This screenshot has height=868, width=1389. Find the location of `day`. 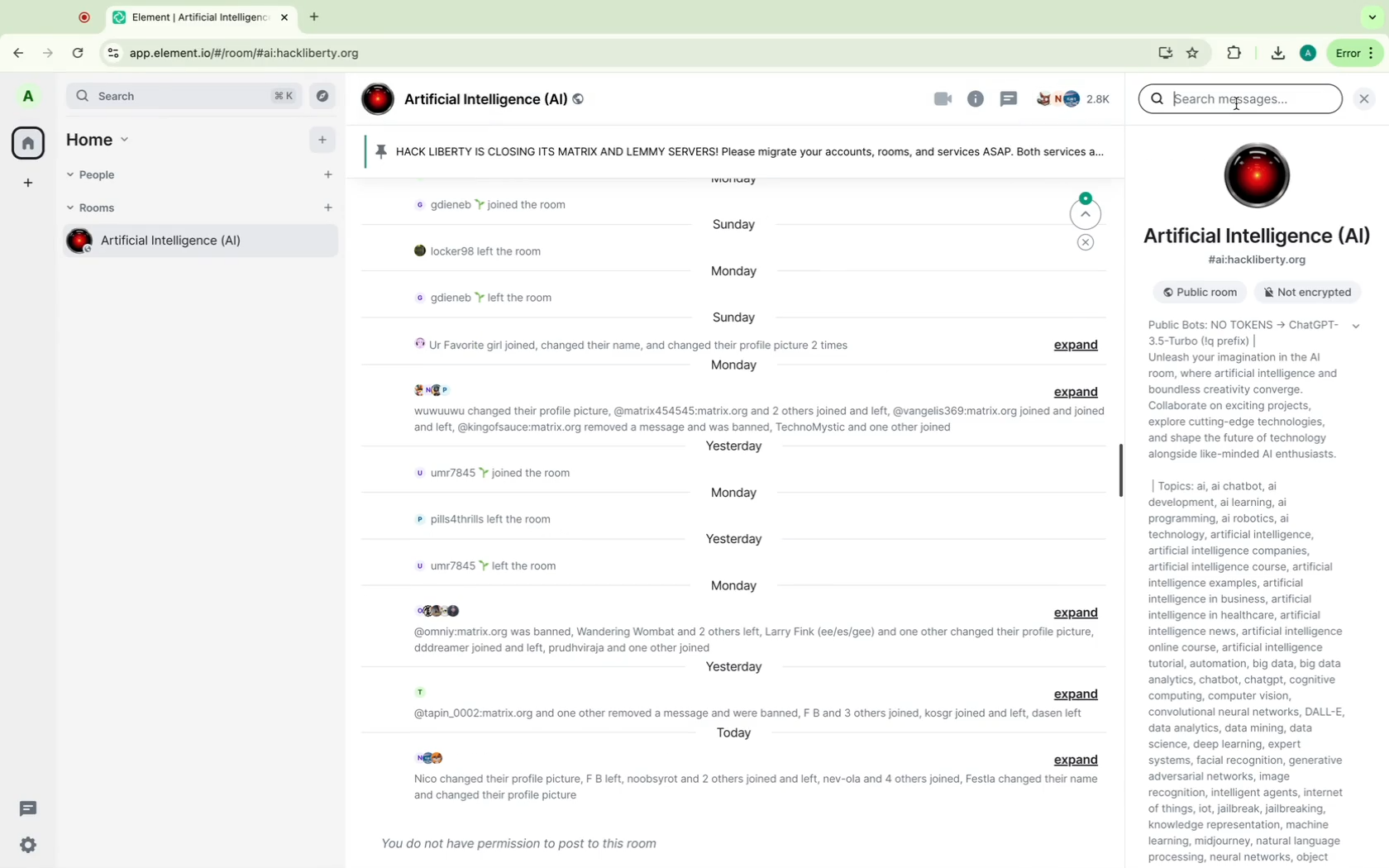

day is located at coordinates (735, 585).